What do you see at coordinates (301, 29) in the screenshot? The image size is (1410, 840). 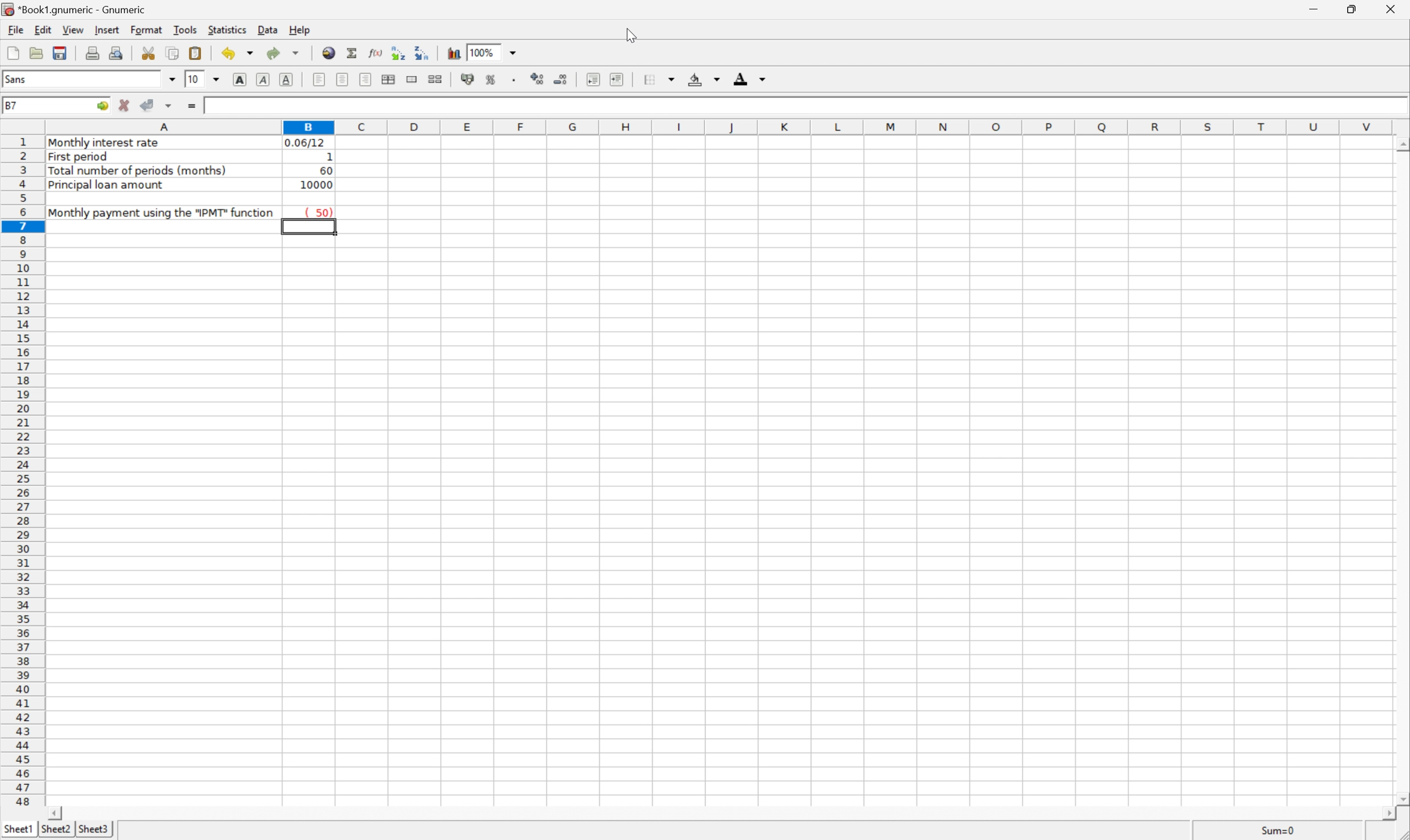 I see `Help` at bounding box center [301, 29].